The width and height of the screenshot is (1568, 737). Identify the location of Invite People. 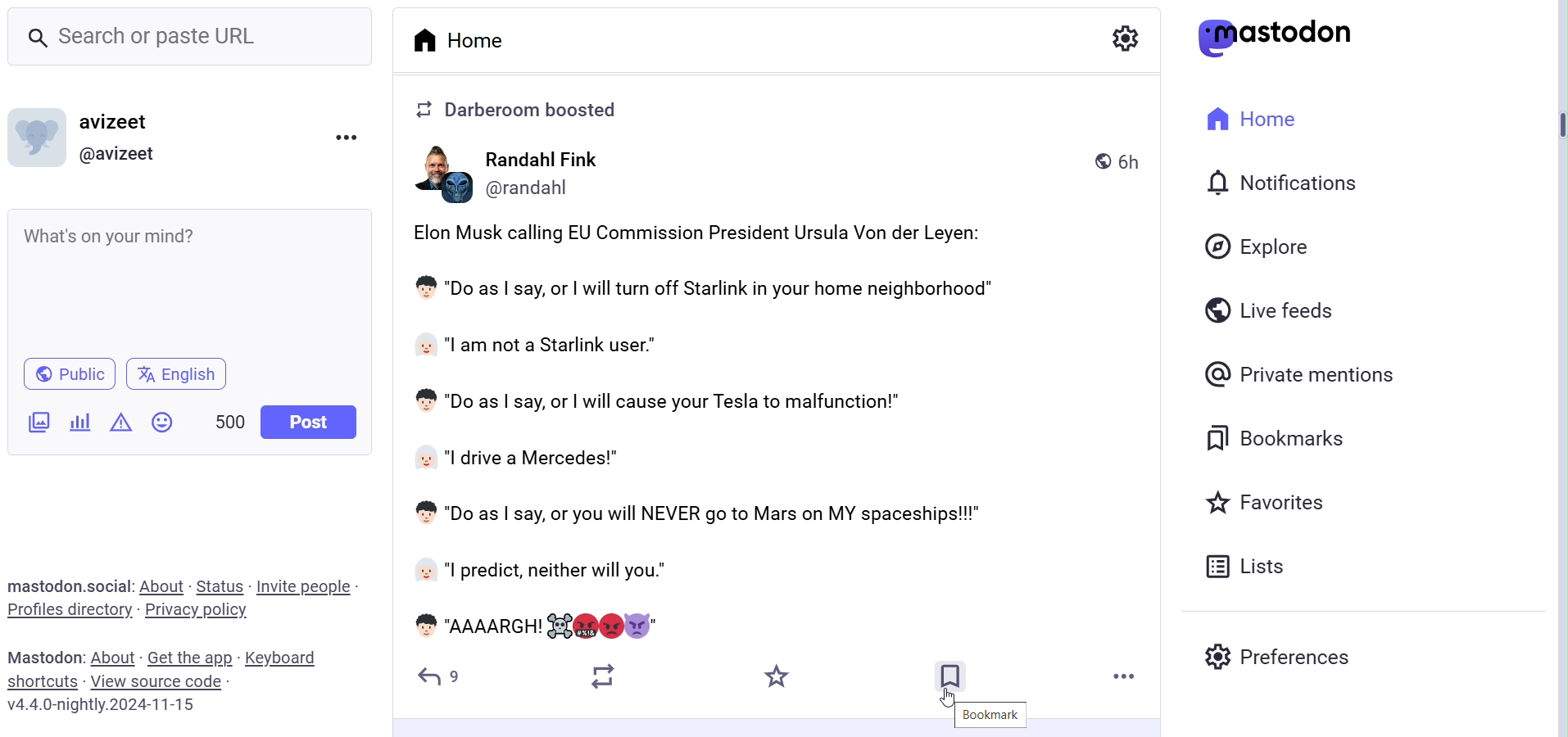
(305, 588).